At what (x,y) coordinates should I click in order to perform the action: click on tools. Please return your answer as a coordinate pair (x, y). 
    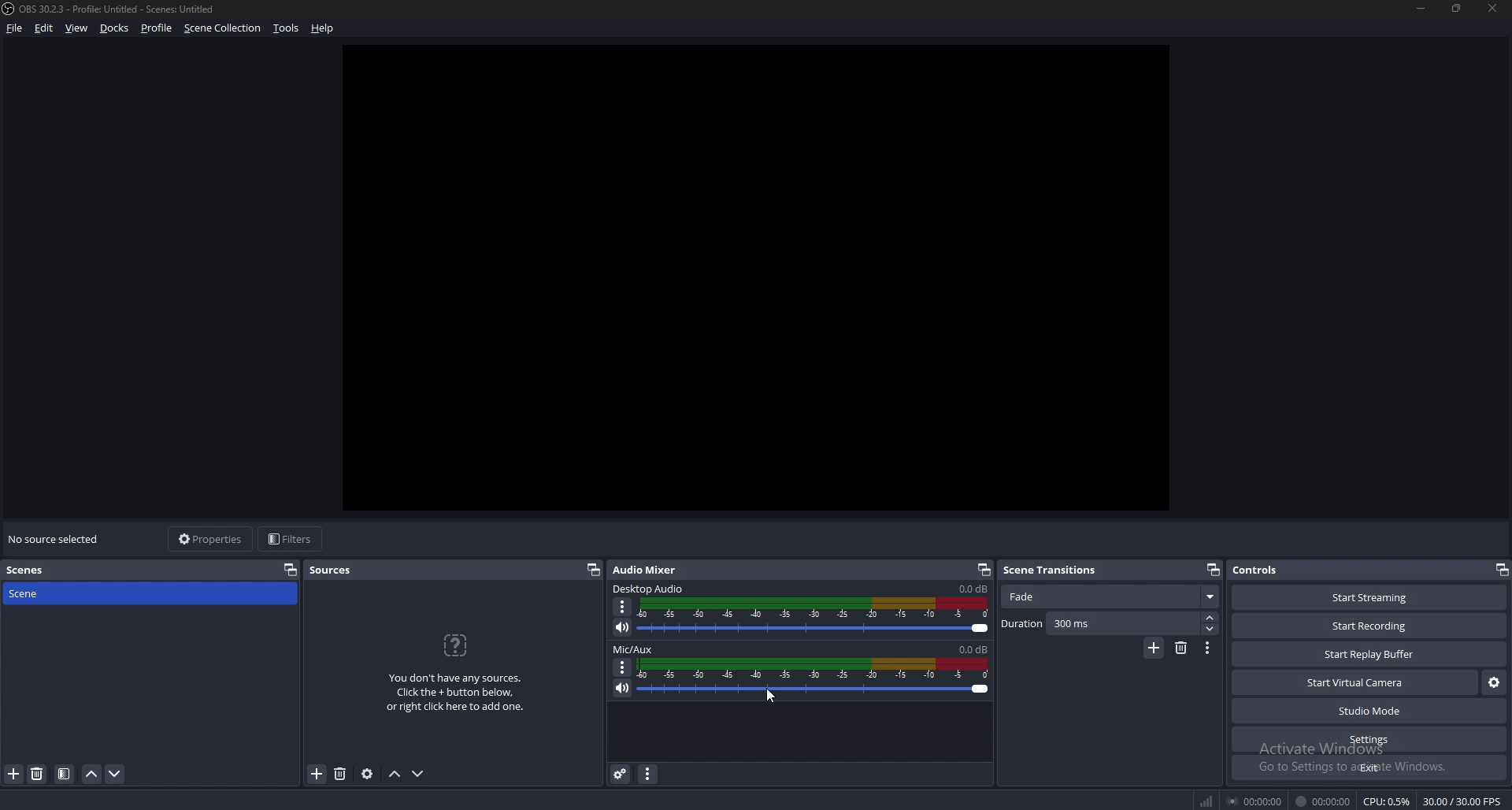
    Looking at the image, I should click on (287, 28).